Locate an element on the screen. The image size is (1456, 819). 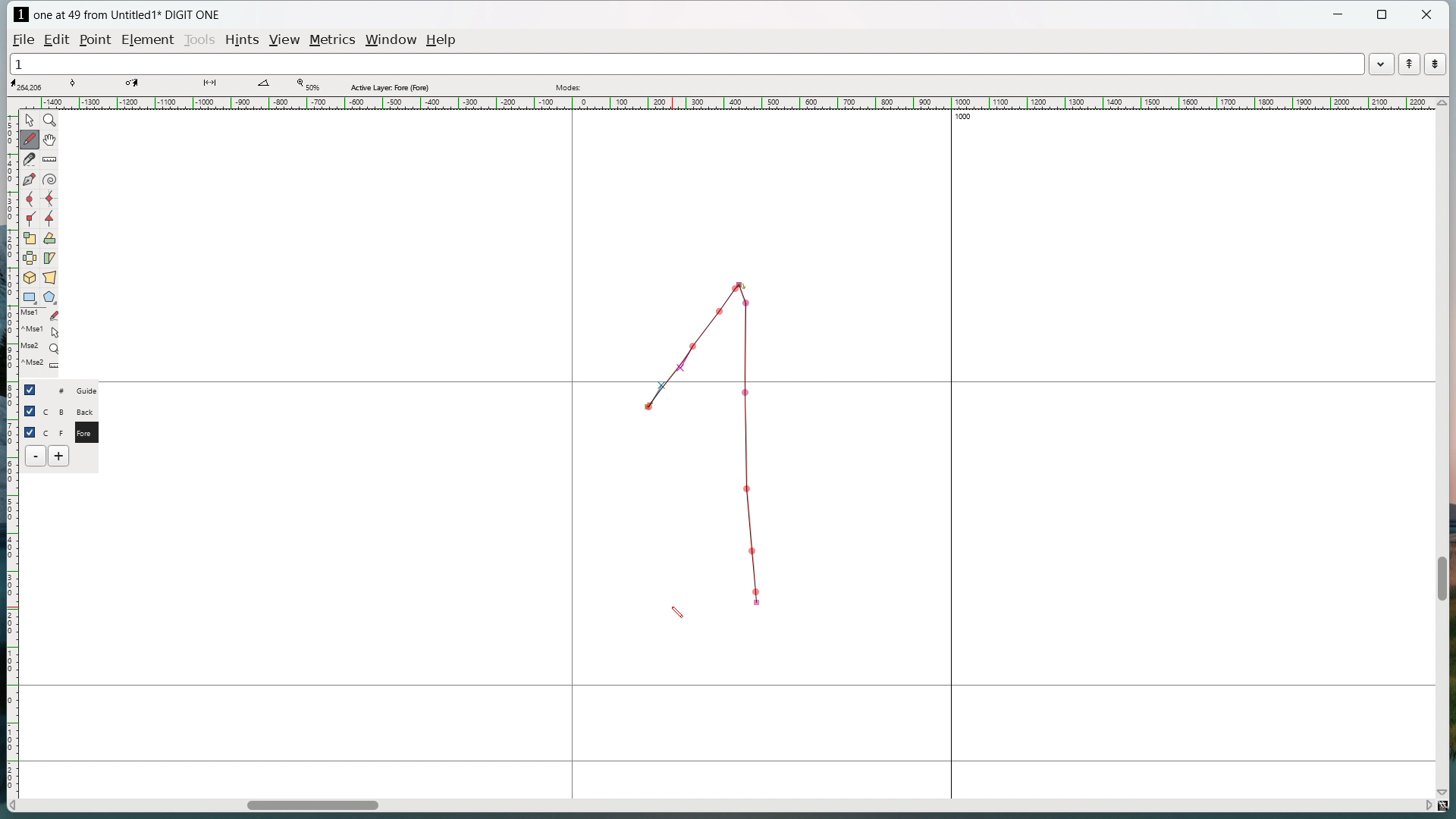
vertical scrollbar is located at coordinates (1441, 579).